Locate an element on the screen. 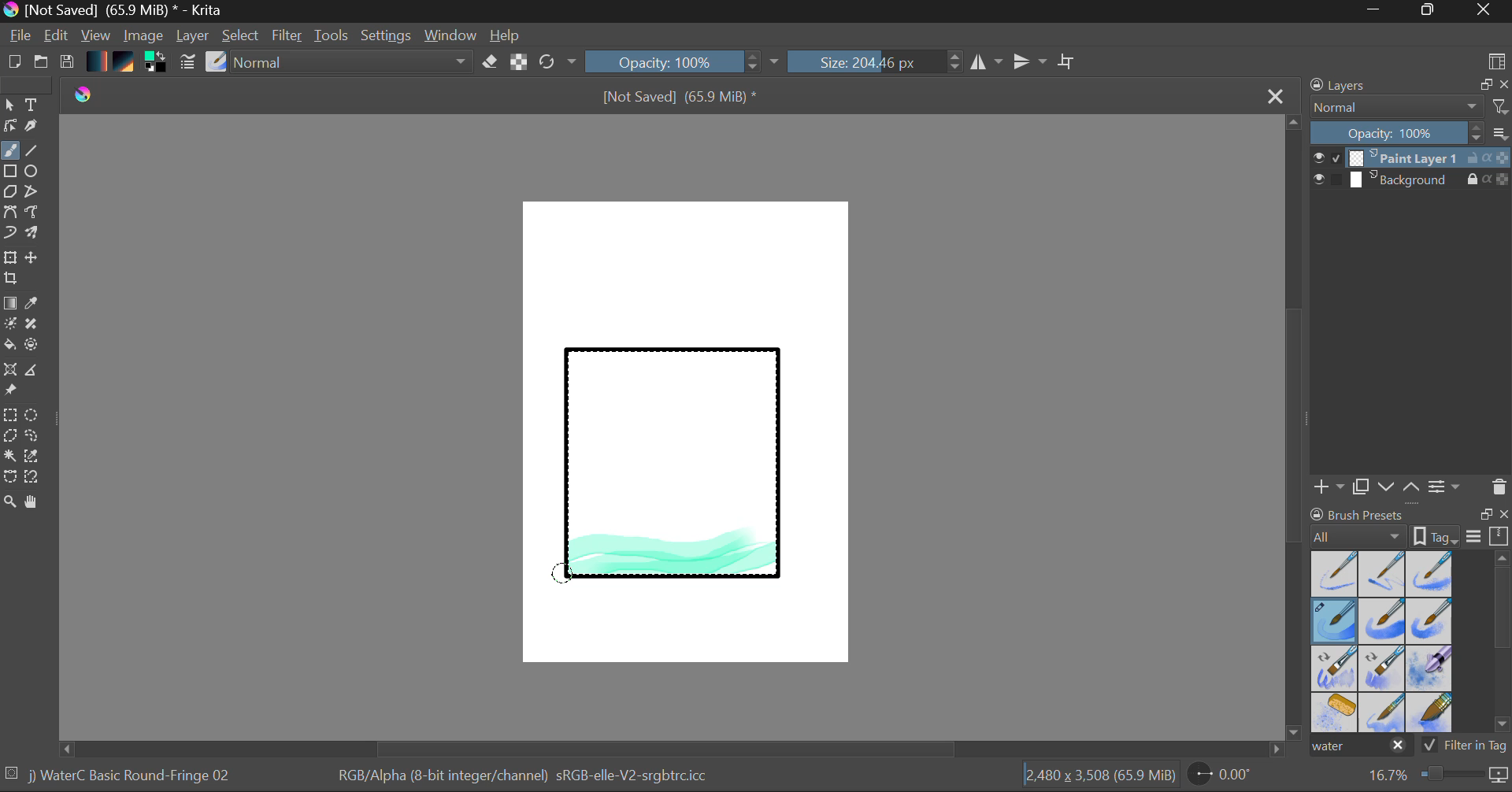 Image resolution: width=1512 pixels, height=792 pixels. Water C - Decay Tilt is located at coordinates (1382, 667).